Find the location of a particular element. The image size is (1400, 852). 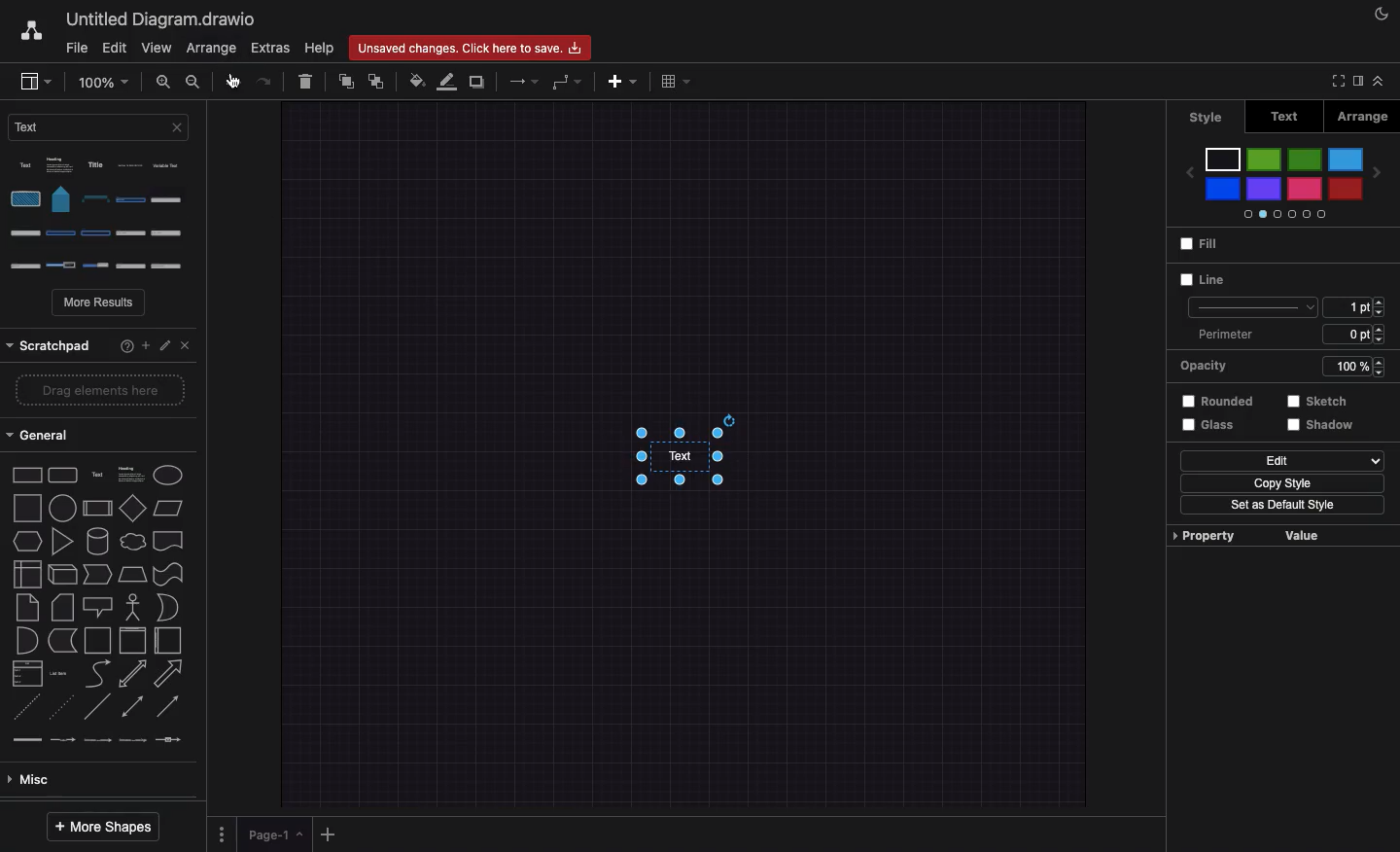

Size is located at coordinates (1353, 306).